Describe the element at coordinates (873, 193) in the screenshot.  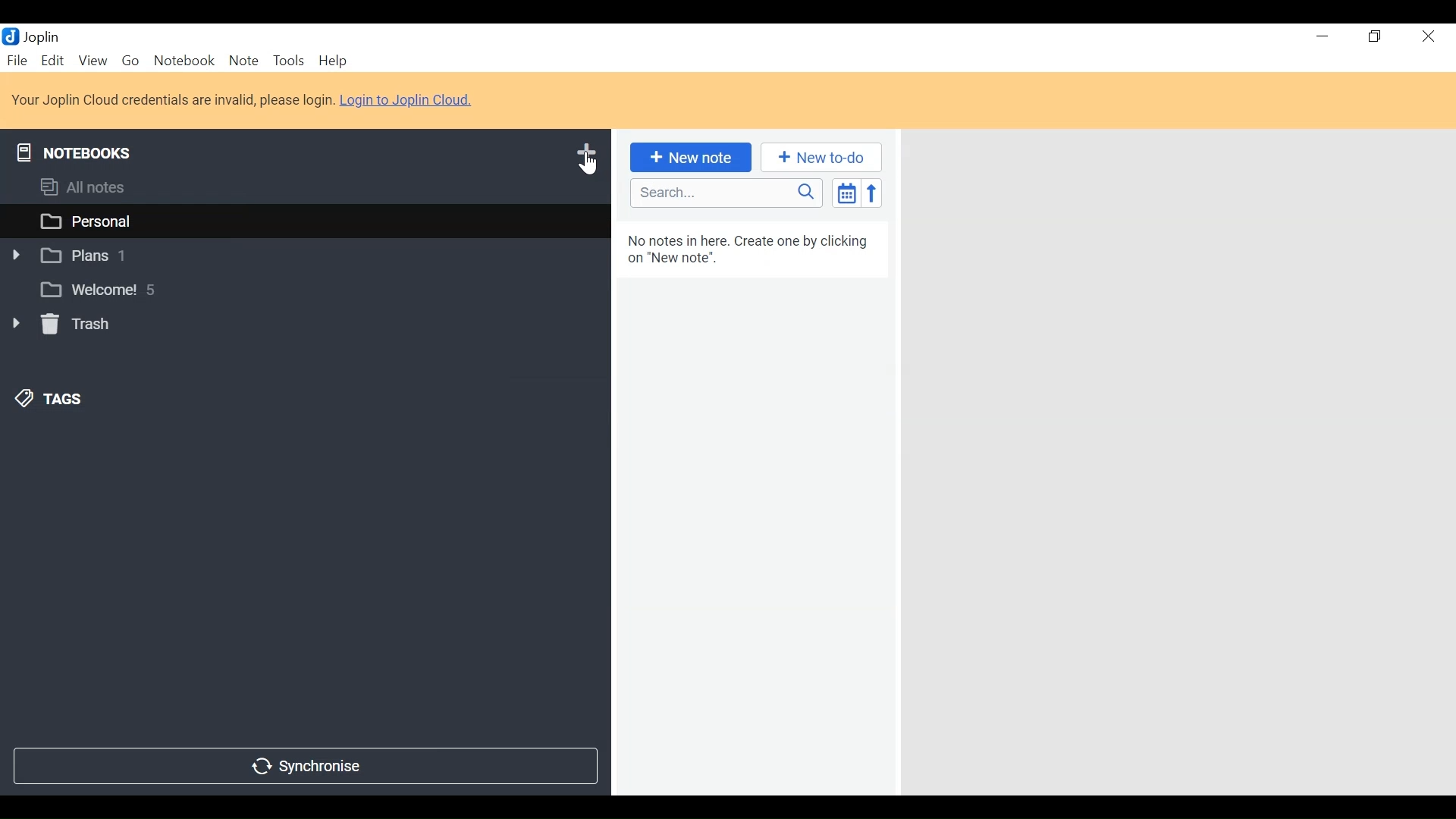
I see `Reverse Sort Order` at that location.